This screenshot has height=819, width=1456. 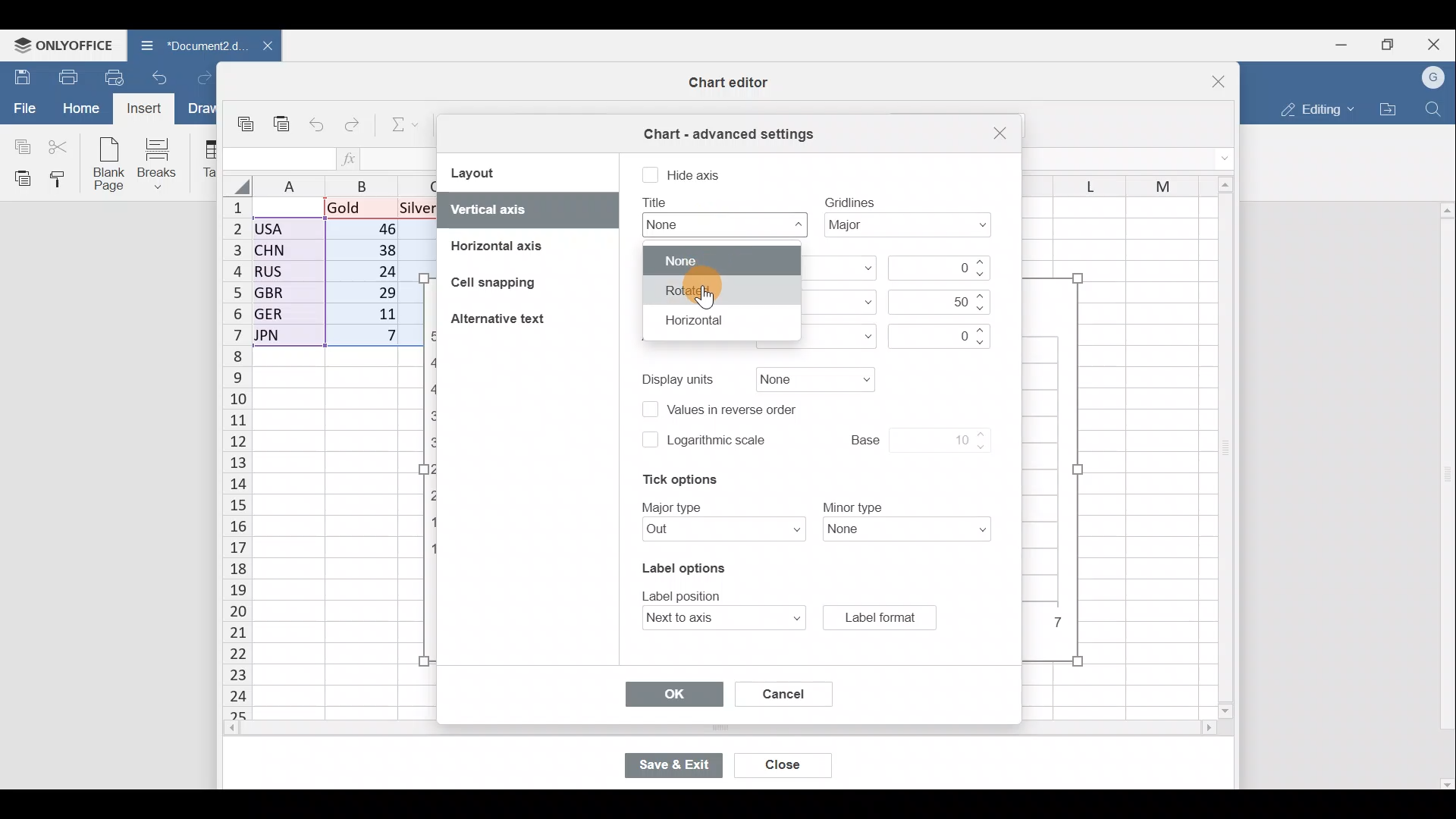 I want to click on Copy style, so click(x=62, y=180).